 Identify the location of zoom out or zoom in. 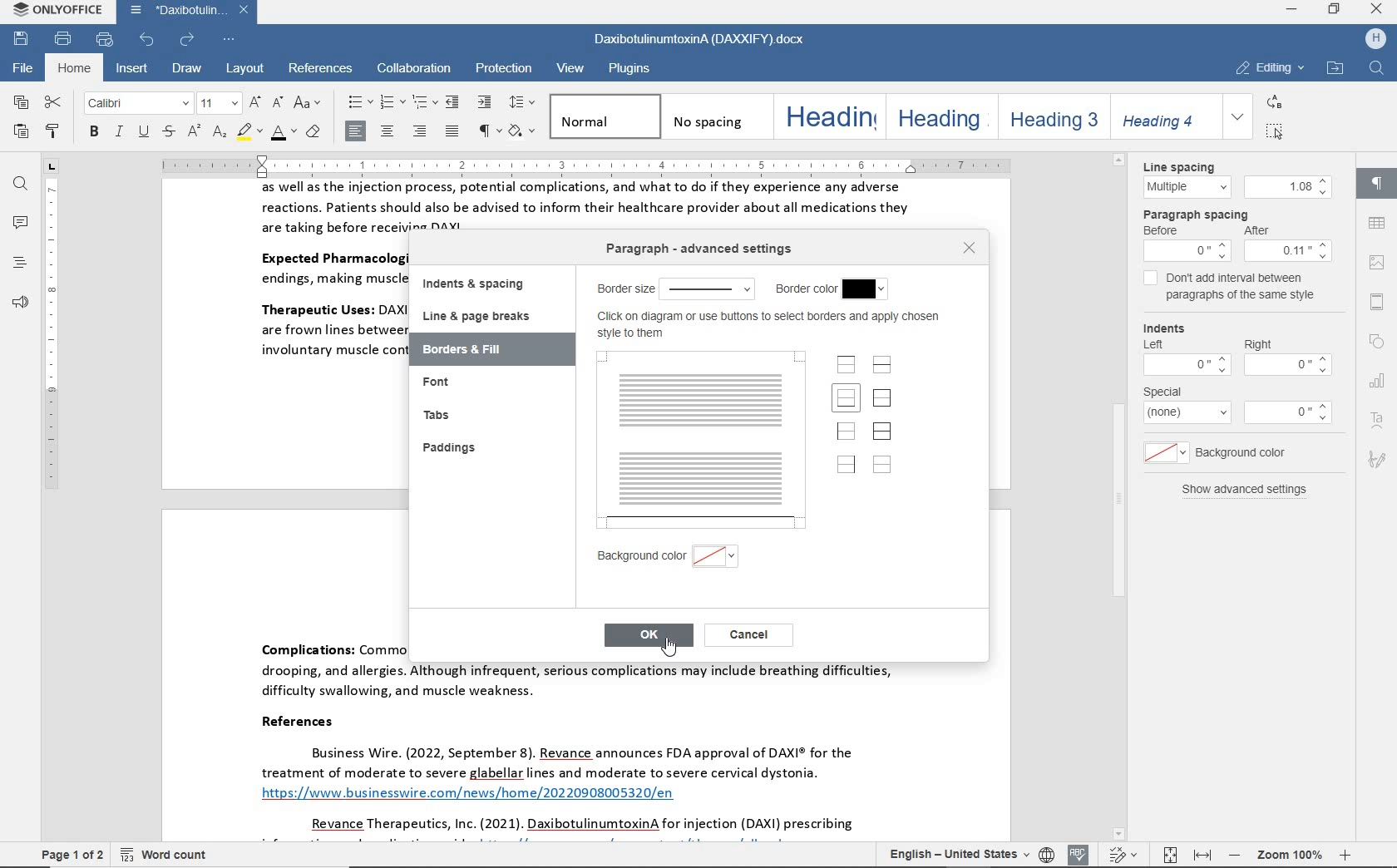
(1289, 855).